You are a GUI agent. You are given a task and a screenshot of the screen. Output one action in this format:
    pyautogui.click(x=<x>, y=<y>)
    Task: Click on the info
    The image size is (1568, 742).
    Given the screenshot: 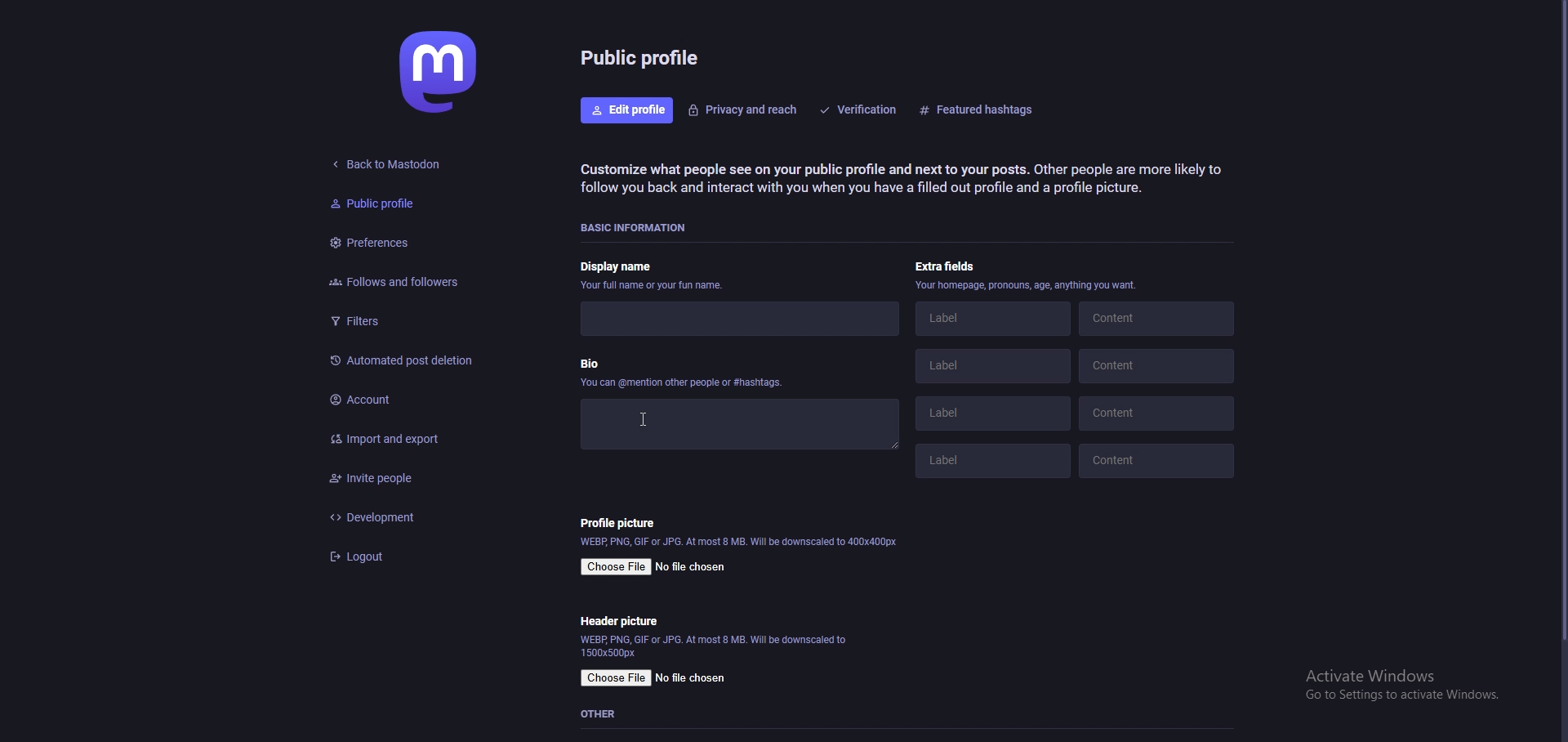 What is the action you would take?
    pyautogui.click(x=716, y=645)
    